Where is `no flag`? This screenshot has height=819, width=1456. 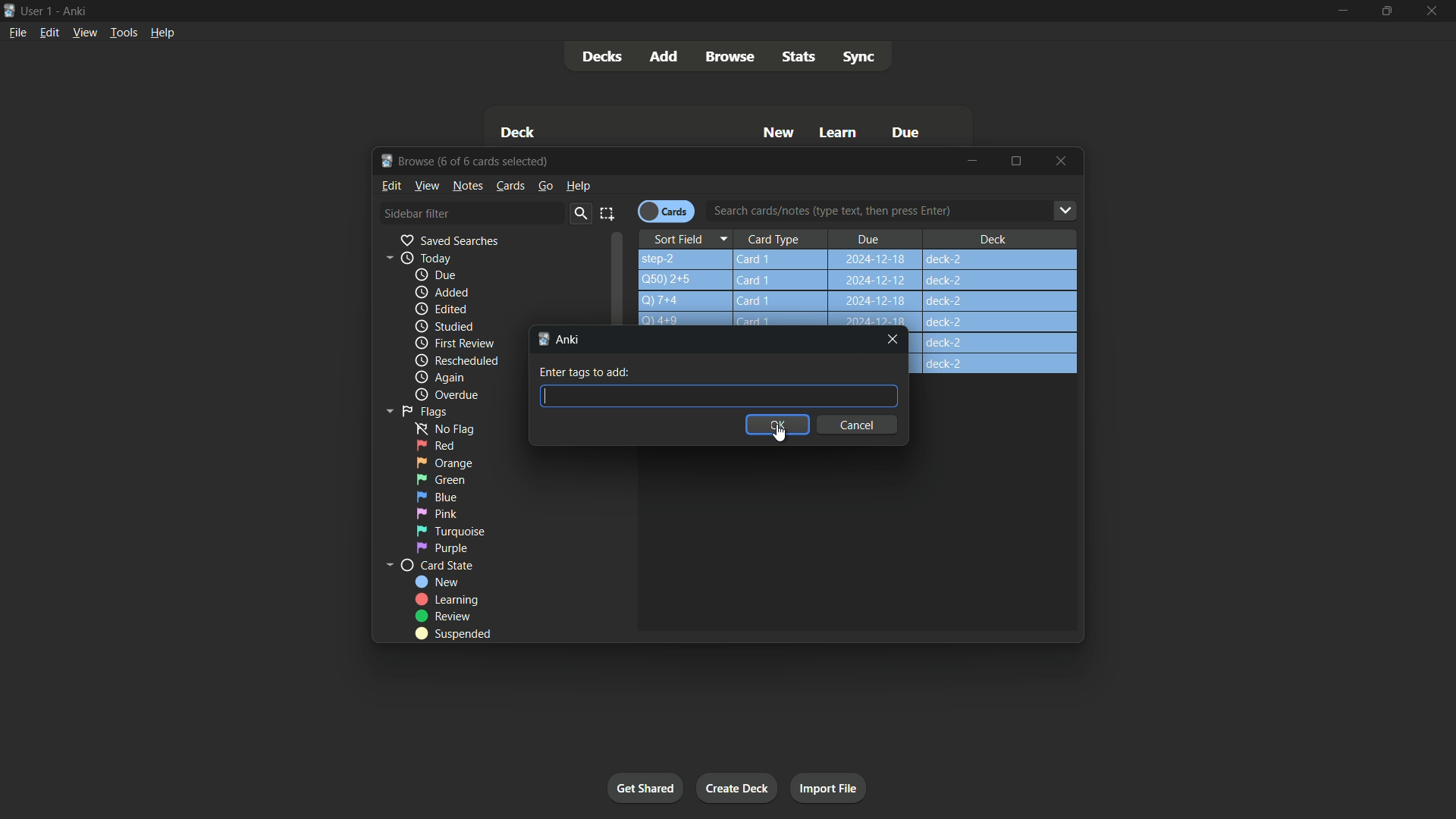
no flag is located at coordinates (440, 428).